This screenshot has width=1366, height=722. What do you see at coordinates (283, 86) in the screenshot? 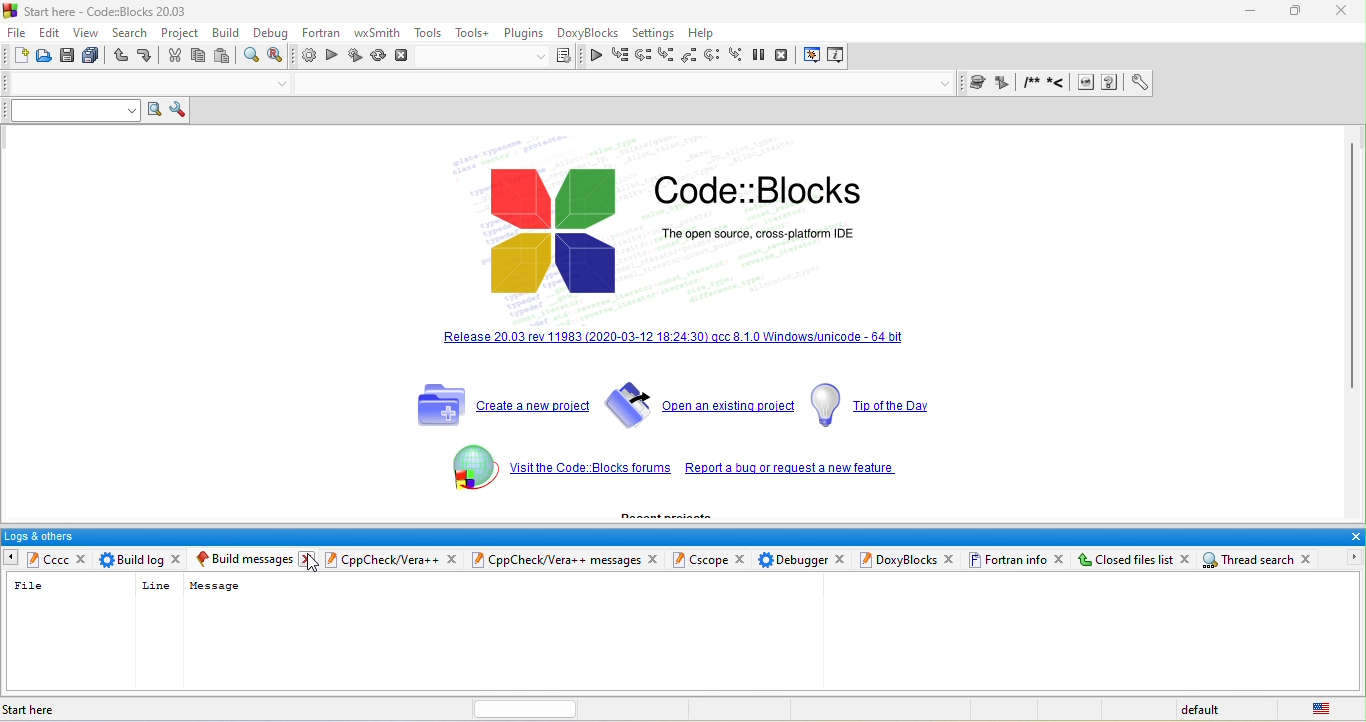
I see `drop down` at bounding box center [283, 86].